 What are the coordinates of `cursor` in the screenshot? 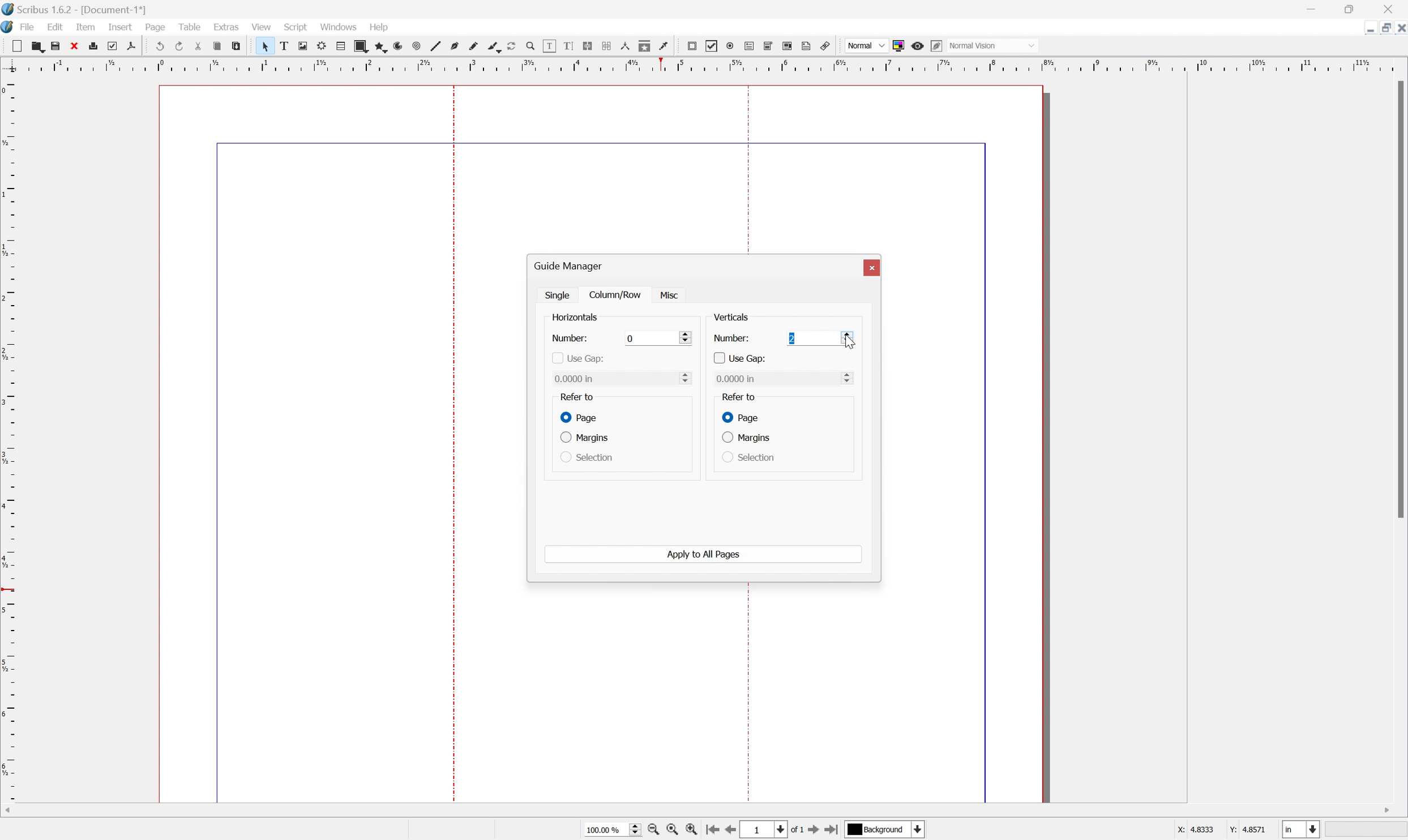 It's located at (850, 341).